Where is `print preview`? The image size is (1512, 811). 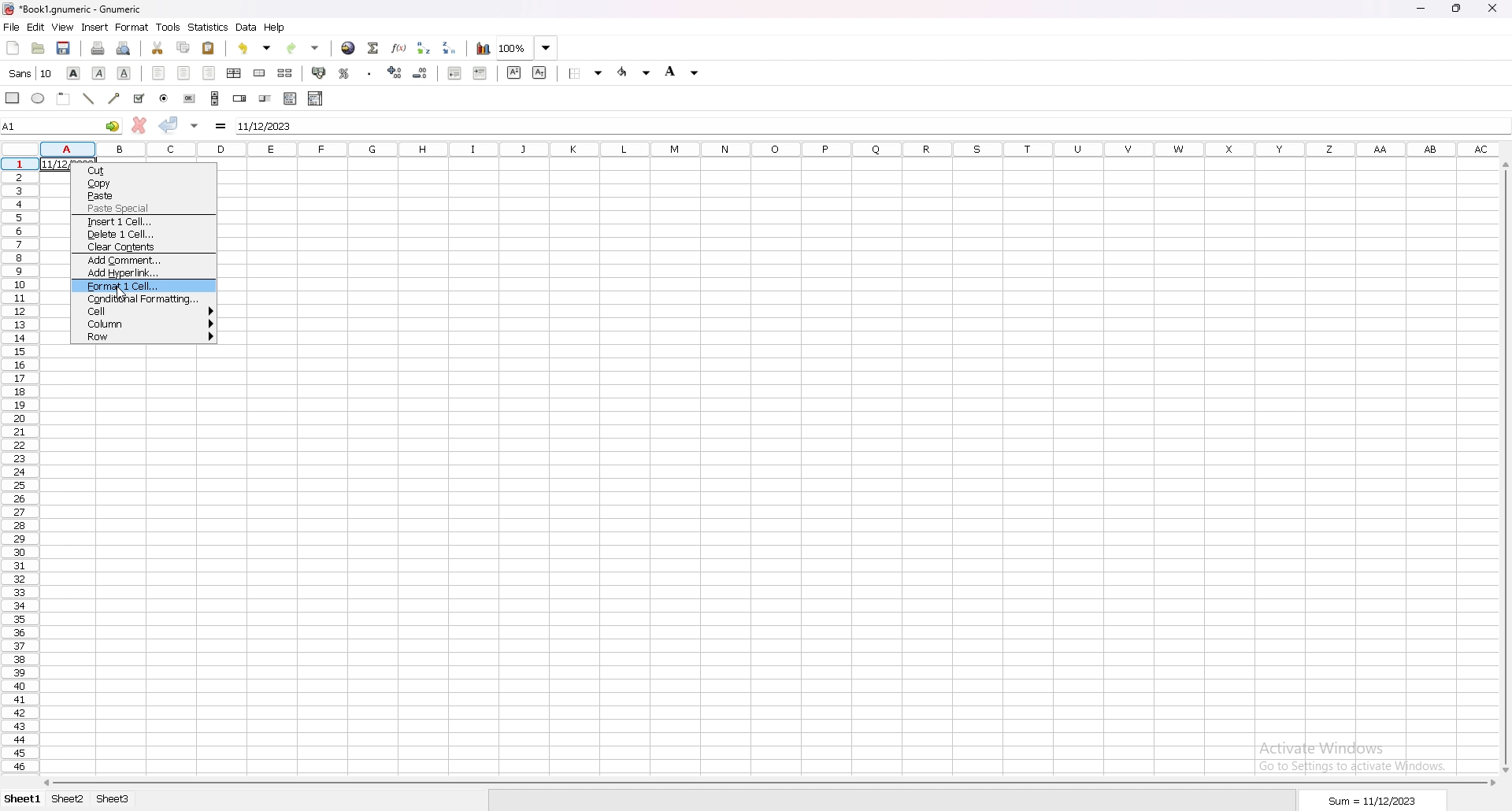
print preview is located at coordinates (124, 49).